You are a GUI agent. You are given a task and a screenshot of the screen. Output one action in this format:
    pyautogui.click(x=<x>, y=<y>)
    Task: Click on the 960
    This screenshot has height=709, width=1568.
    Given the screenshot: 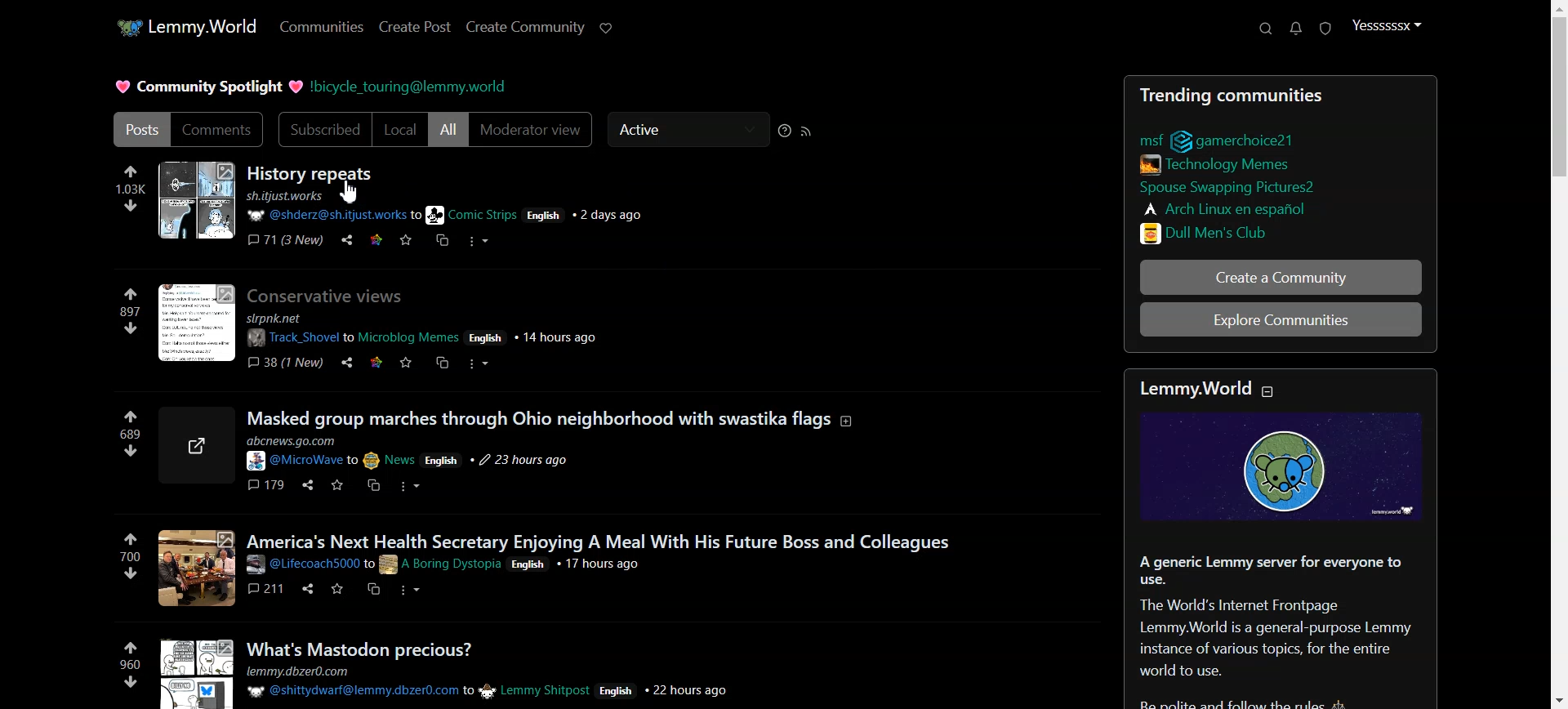 What is the action you would take?
    pyautogui.click(x=127, y=669)
    